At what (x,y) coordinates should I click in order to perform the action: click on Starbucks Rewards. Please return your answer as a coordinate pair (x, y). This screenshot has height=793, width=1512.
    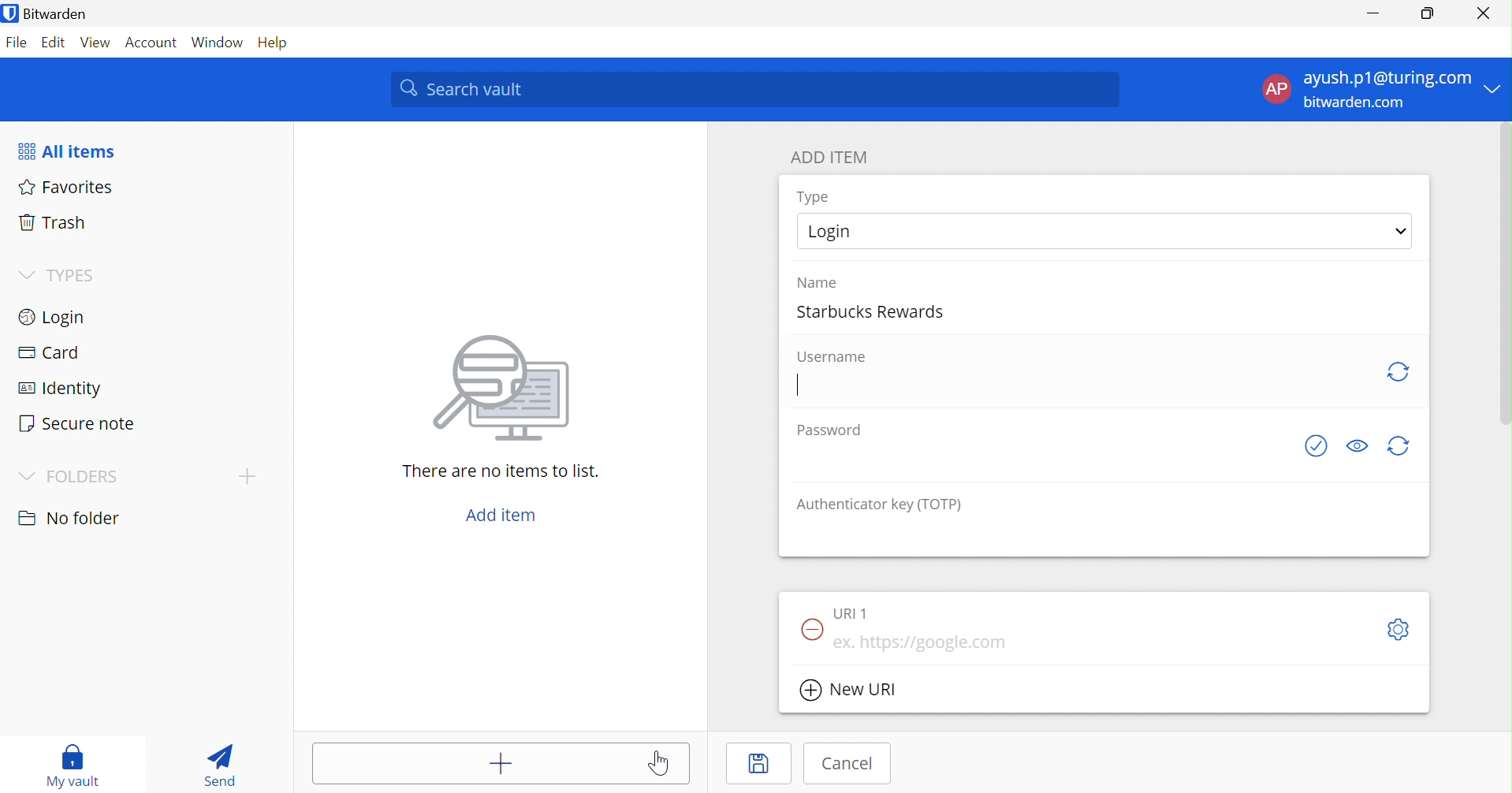
    Looking at the image, I should click on (876, 309).